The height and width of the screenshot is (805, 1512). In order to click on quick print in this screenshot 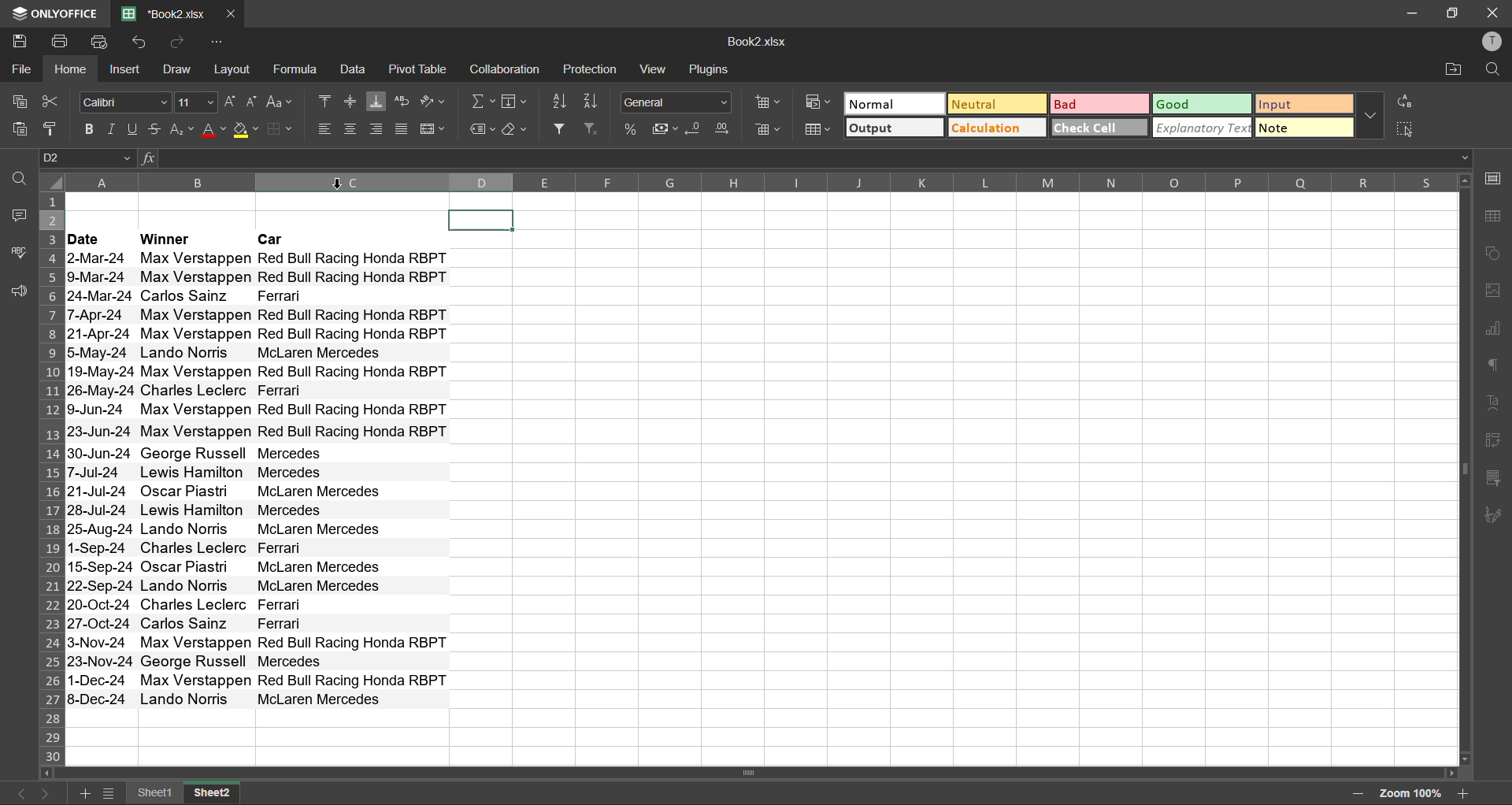, I will do `click(102, 42)`.